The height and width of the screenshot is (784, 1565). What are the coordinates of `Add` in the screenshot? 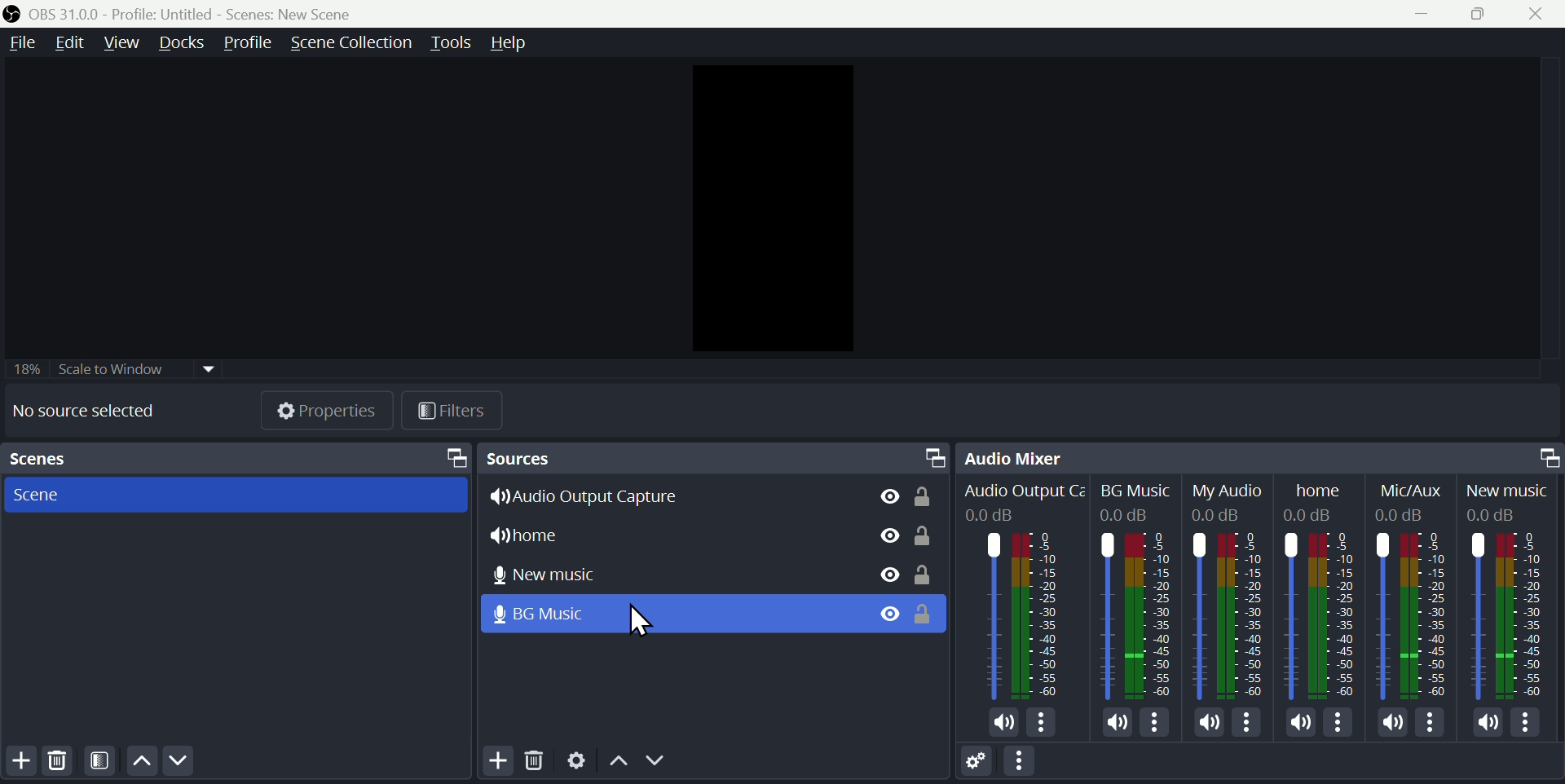 It's located at (19, 762).